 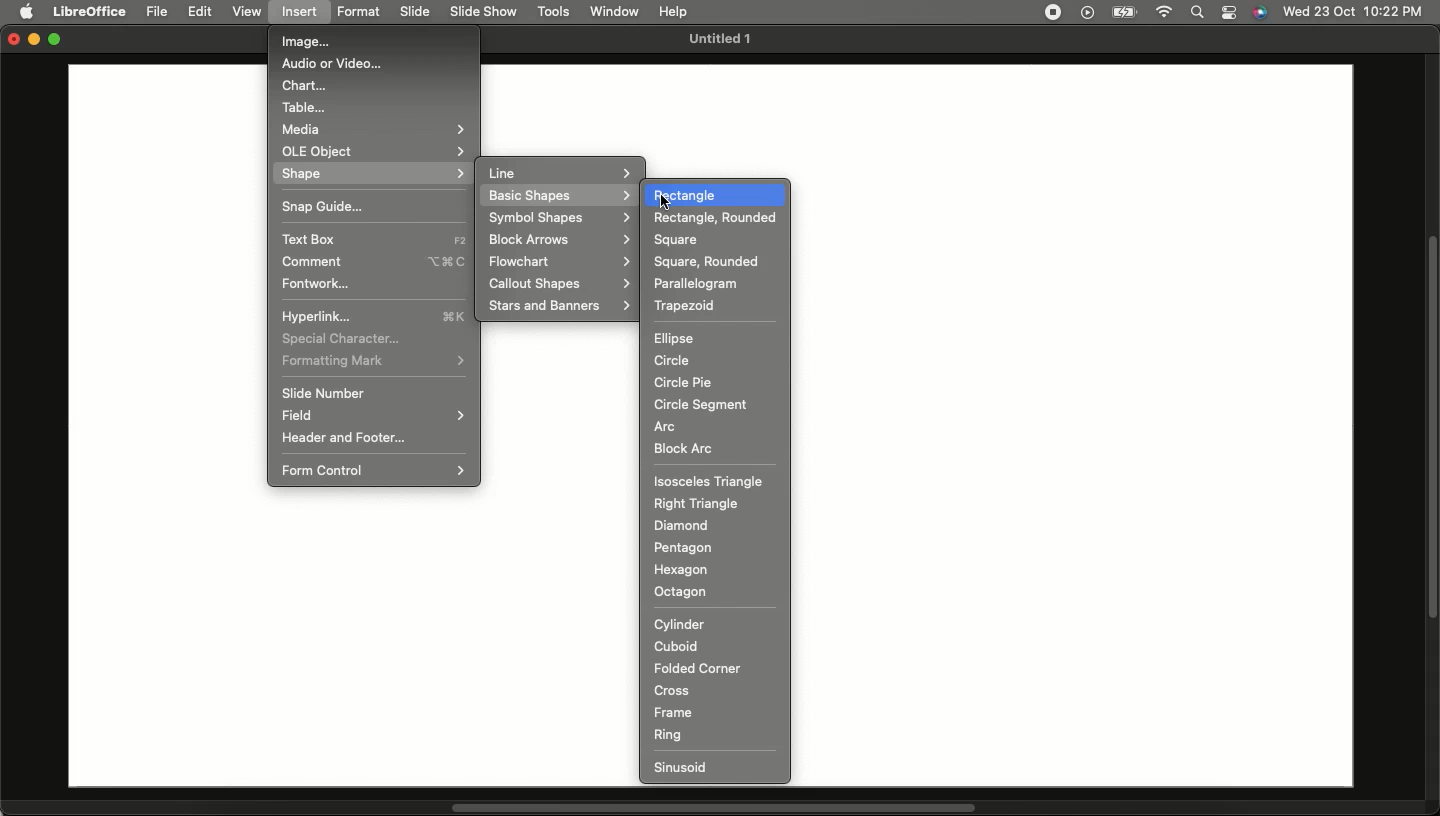 I want to click on Parallelogram, so click(x=695, y=283).